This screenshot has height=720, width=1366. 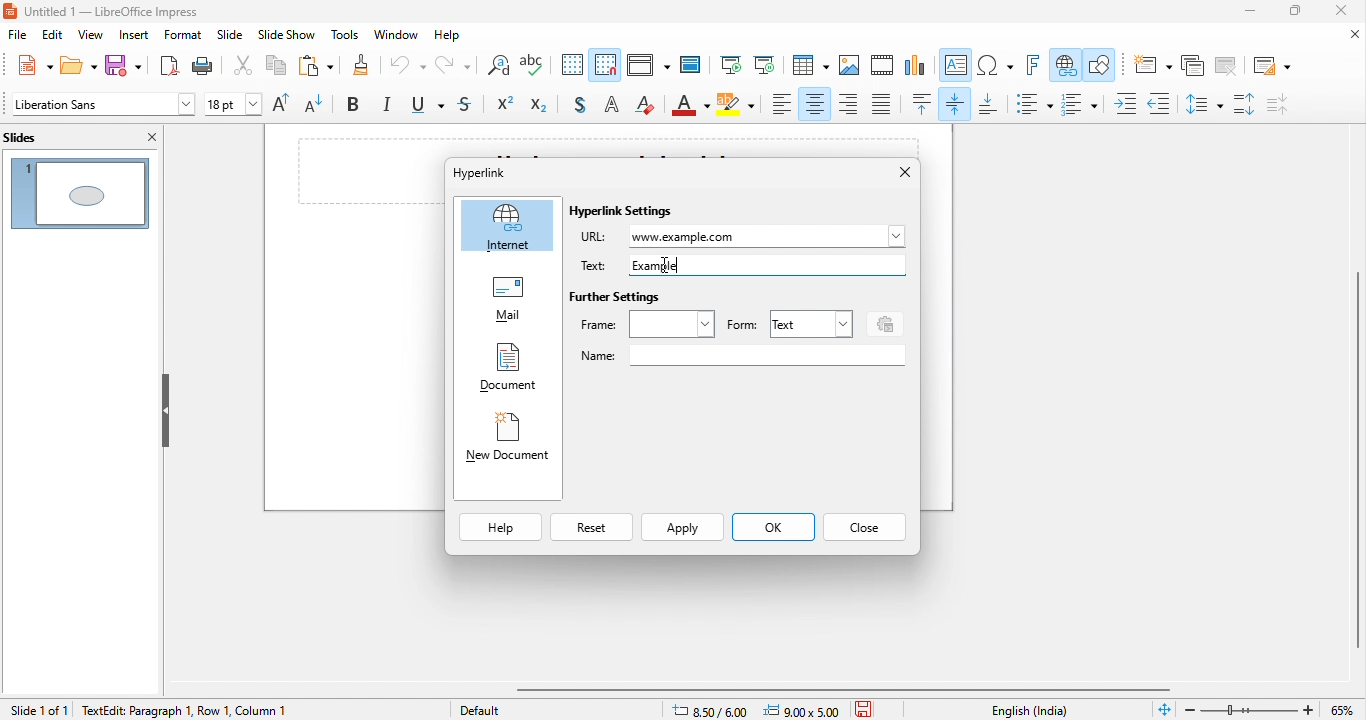 What do you see at coordinates (507, 370) in the screenshot?
I see `document` at bounding box center [507, 370].